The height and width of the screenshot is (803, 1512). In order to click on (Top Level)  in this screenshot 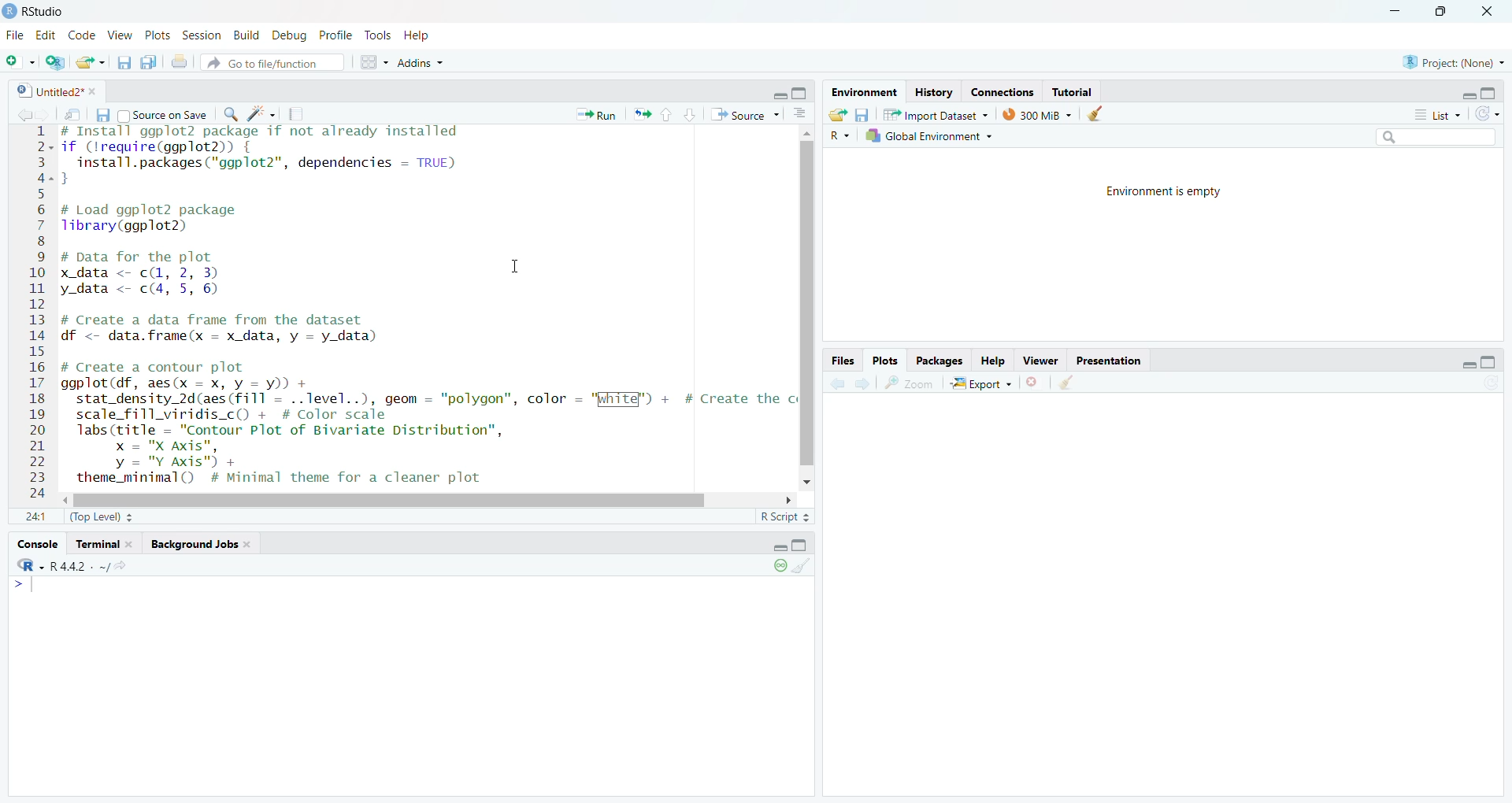, I will do `click(97, 519)`.